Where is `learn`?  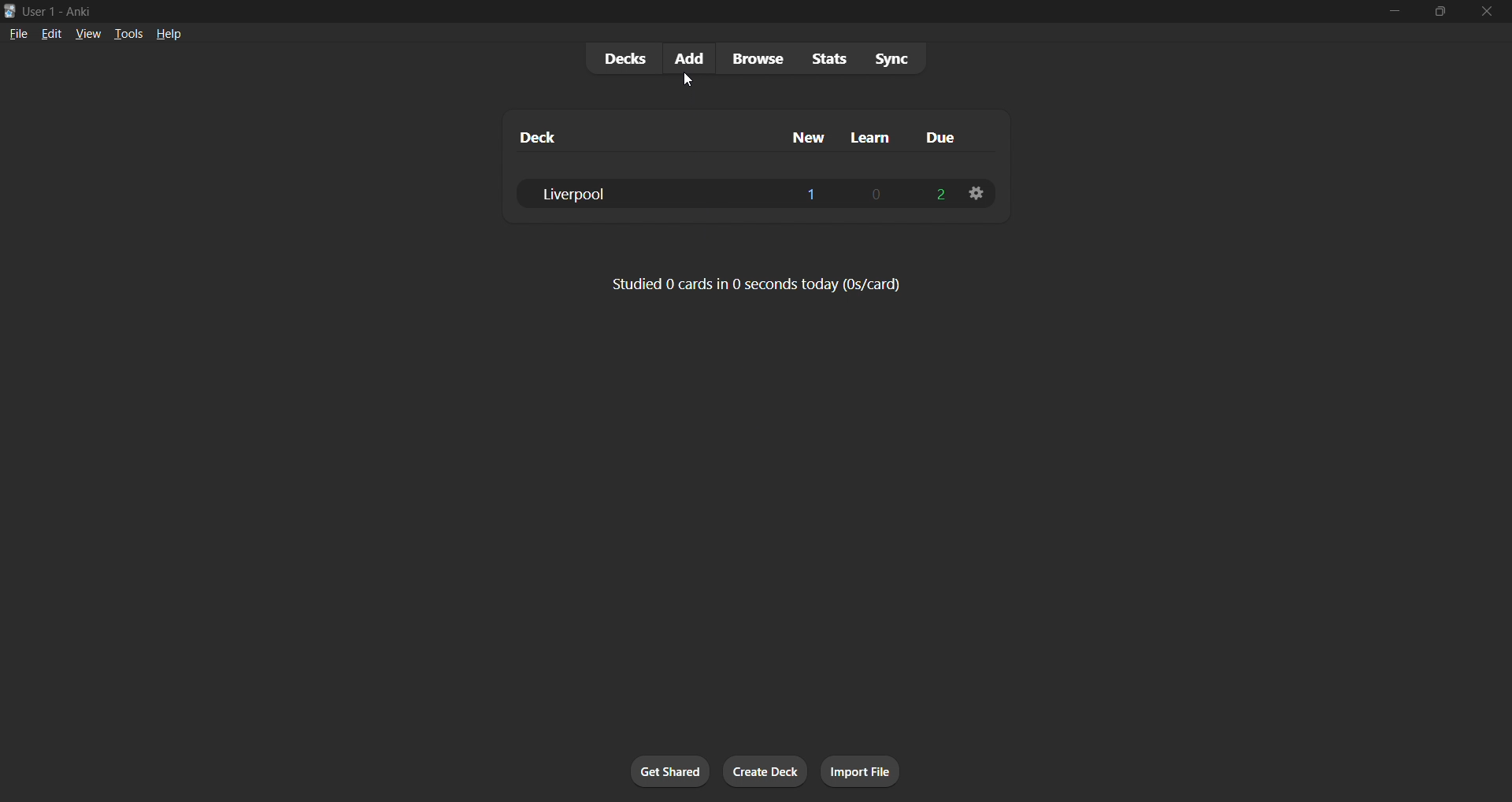
learn is located at coordinates (877, 136).